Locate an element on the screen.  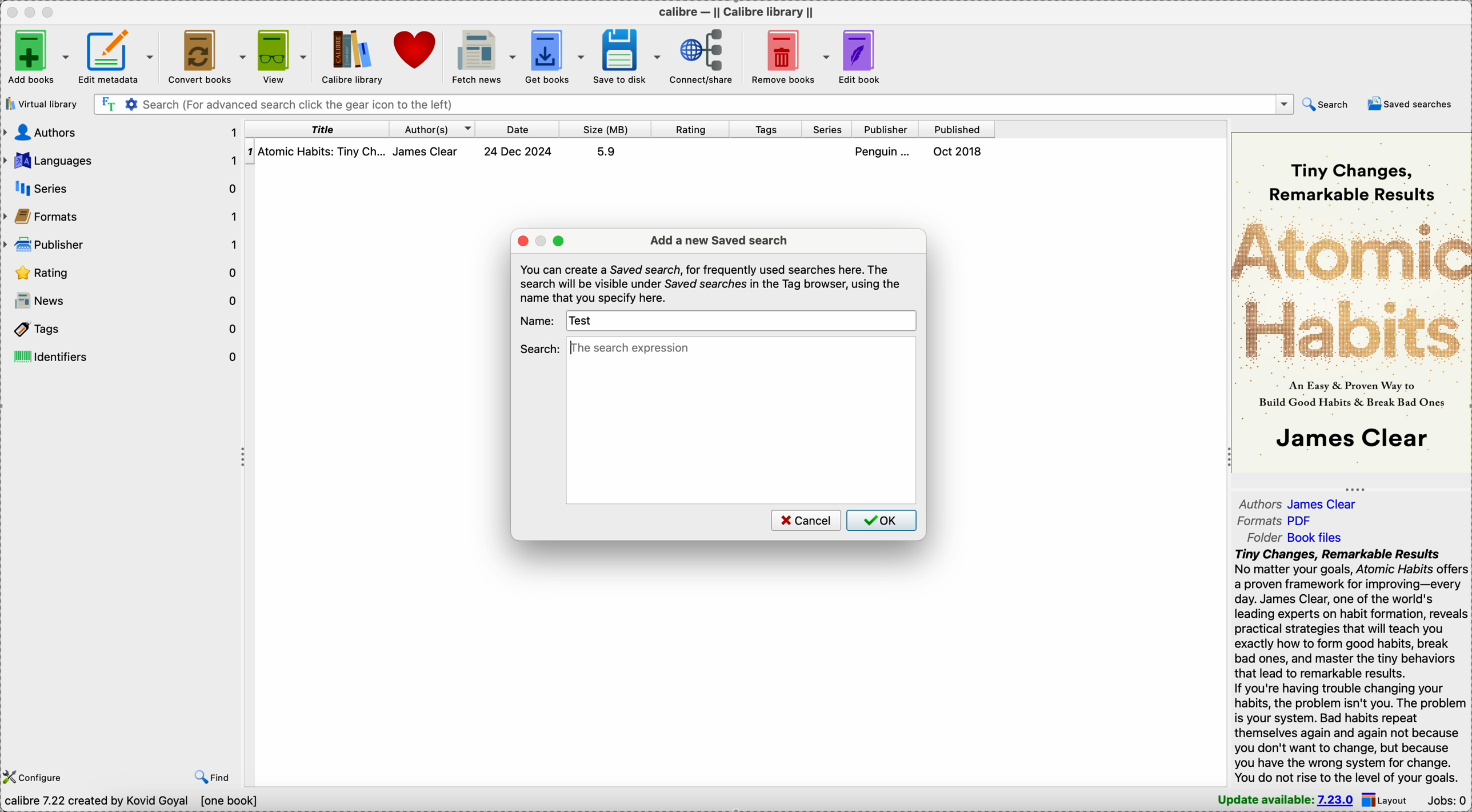
Calibre - || calibre library || is located at coordinates (734, 11).